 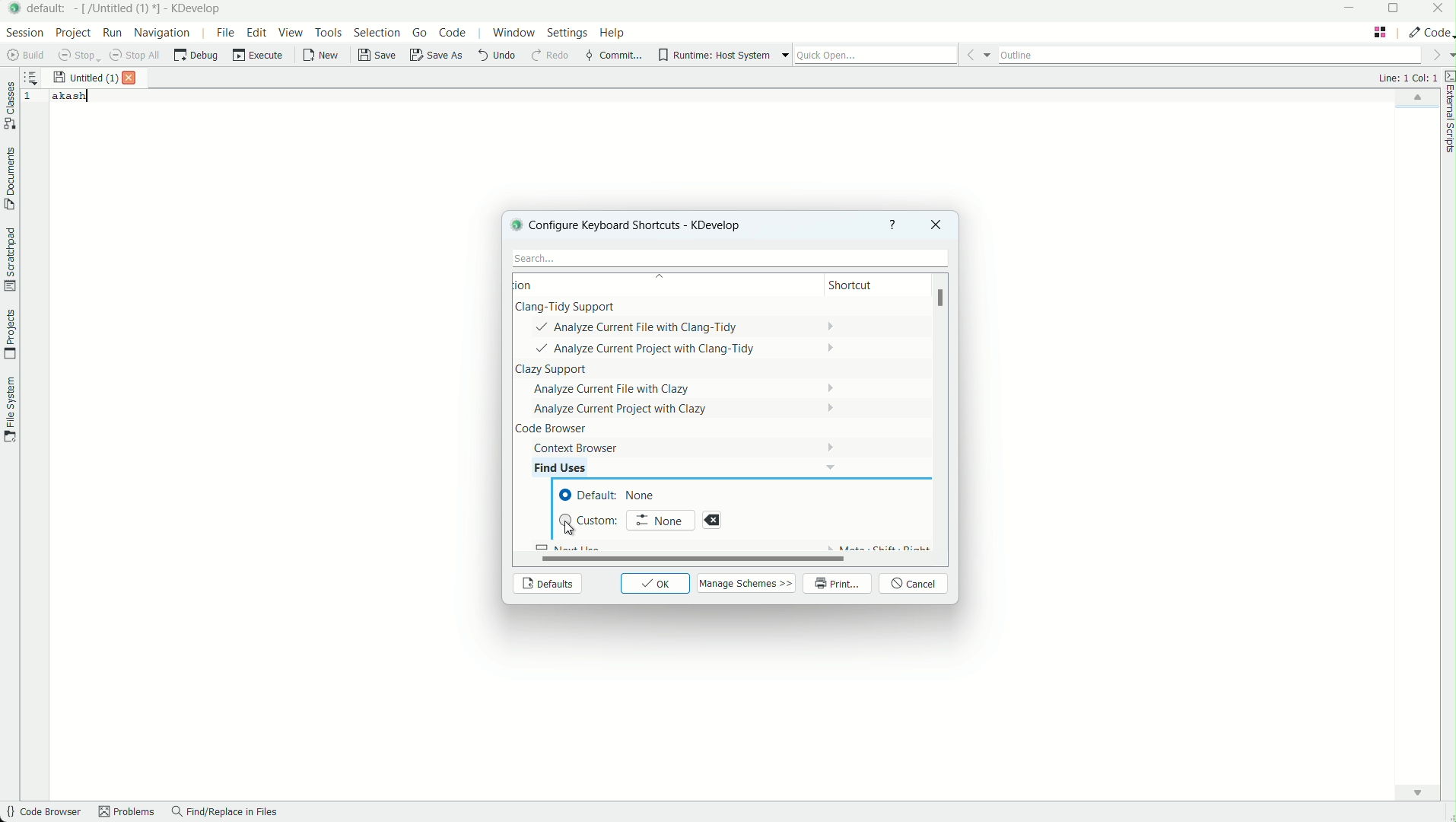 I want to click on outline, so click(x=1210, y=53).